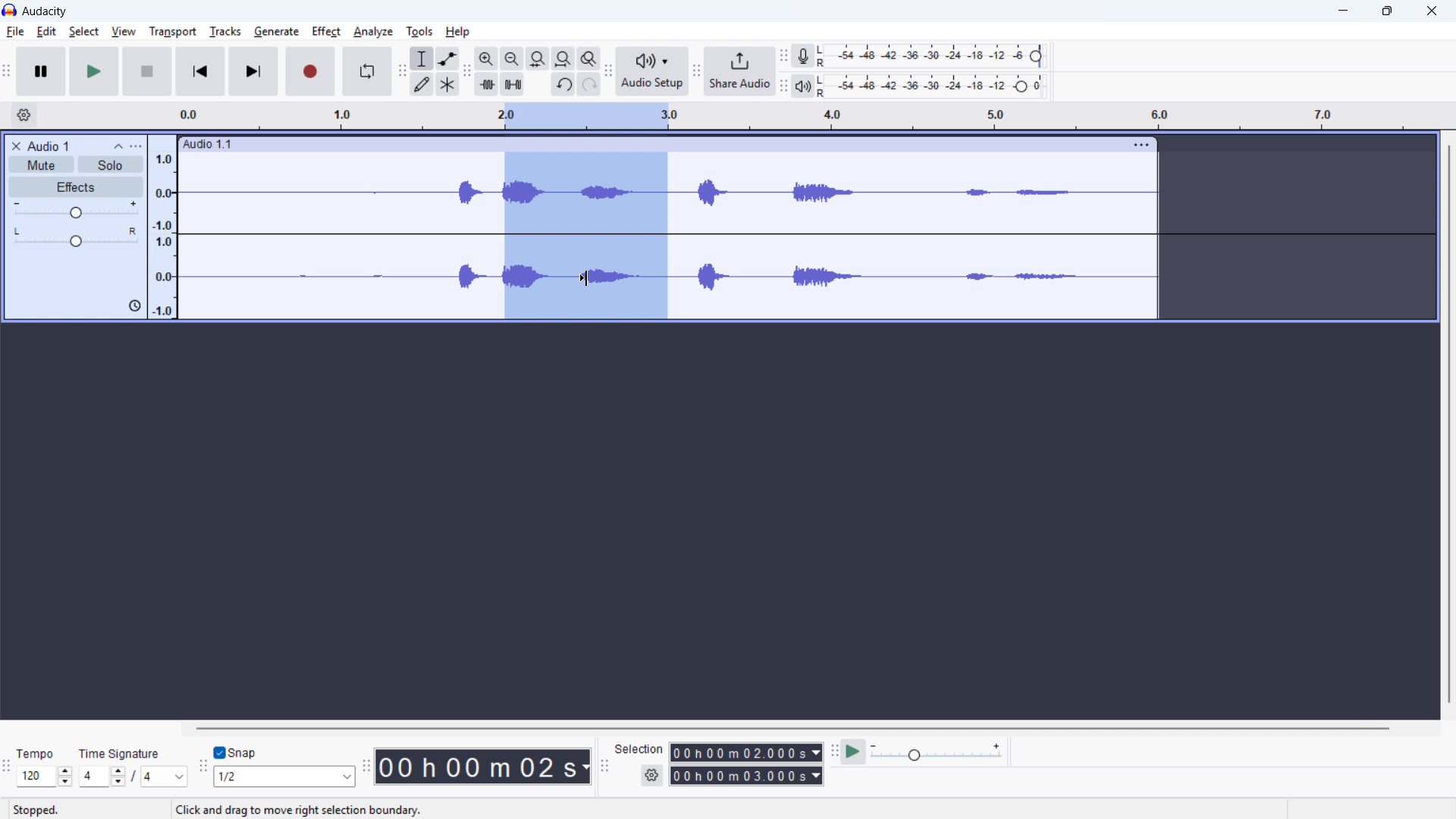 This screenshot has width=1456, height=819. What do you see at coordinates (44, 776) in the screenshot?
I see `Set tempo` at bounding box center [44, 776].